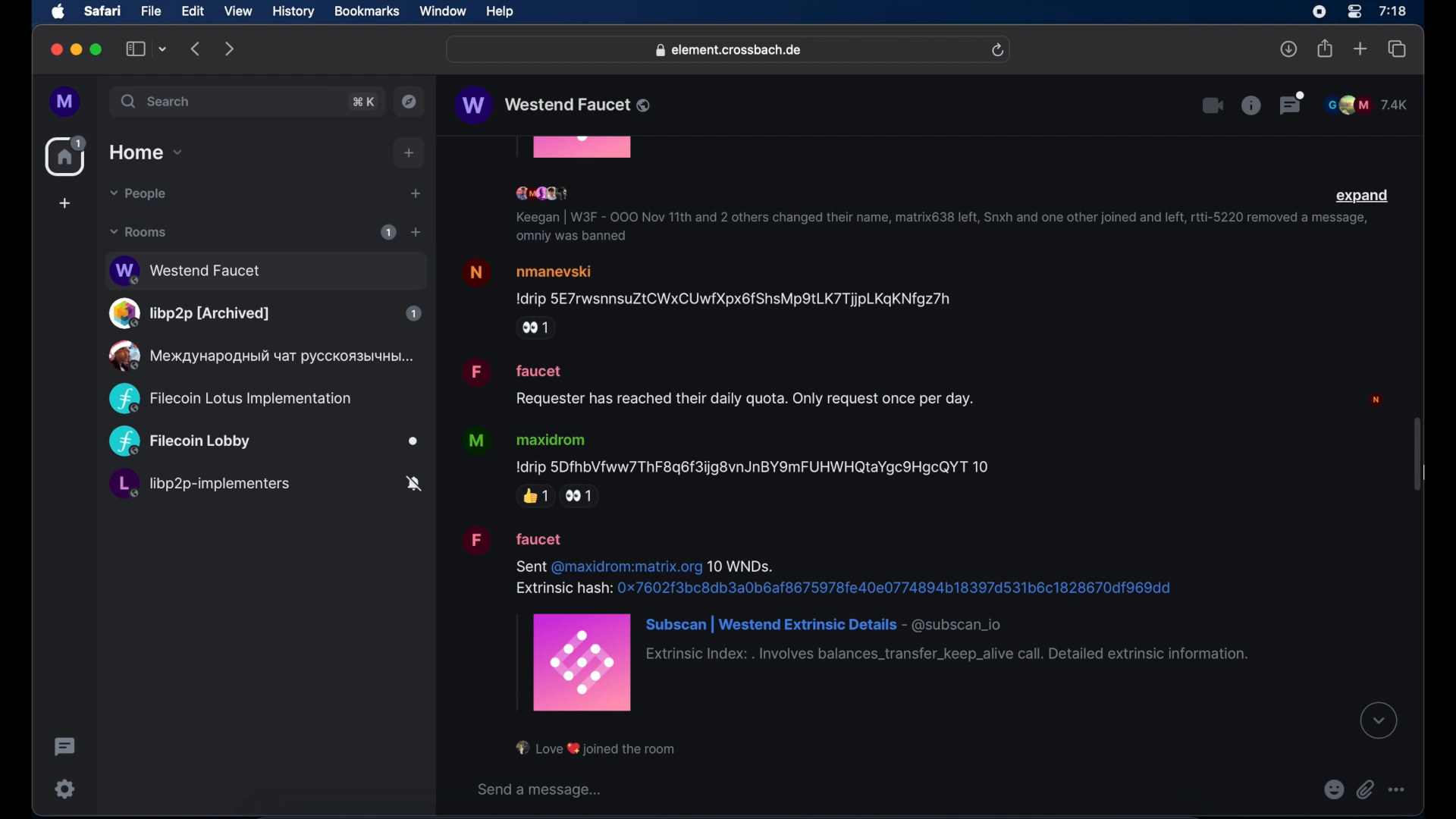 Image resolution: width=1456 pixels, height=819 pixels. I want to click on public room, so click(259, 356).